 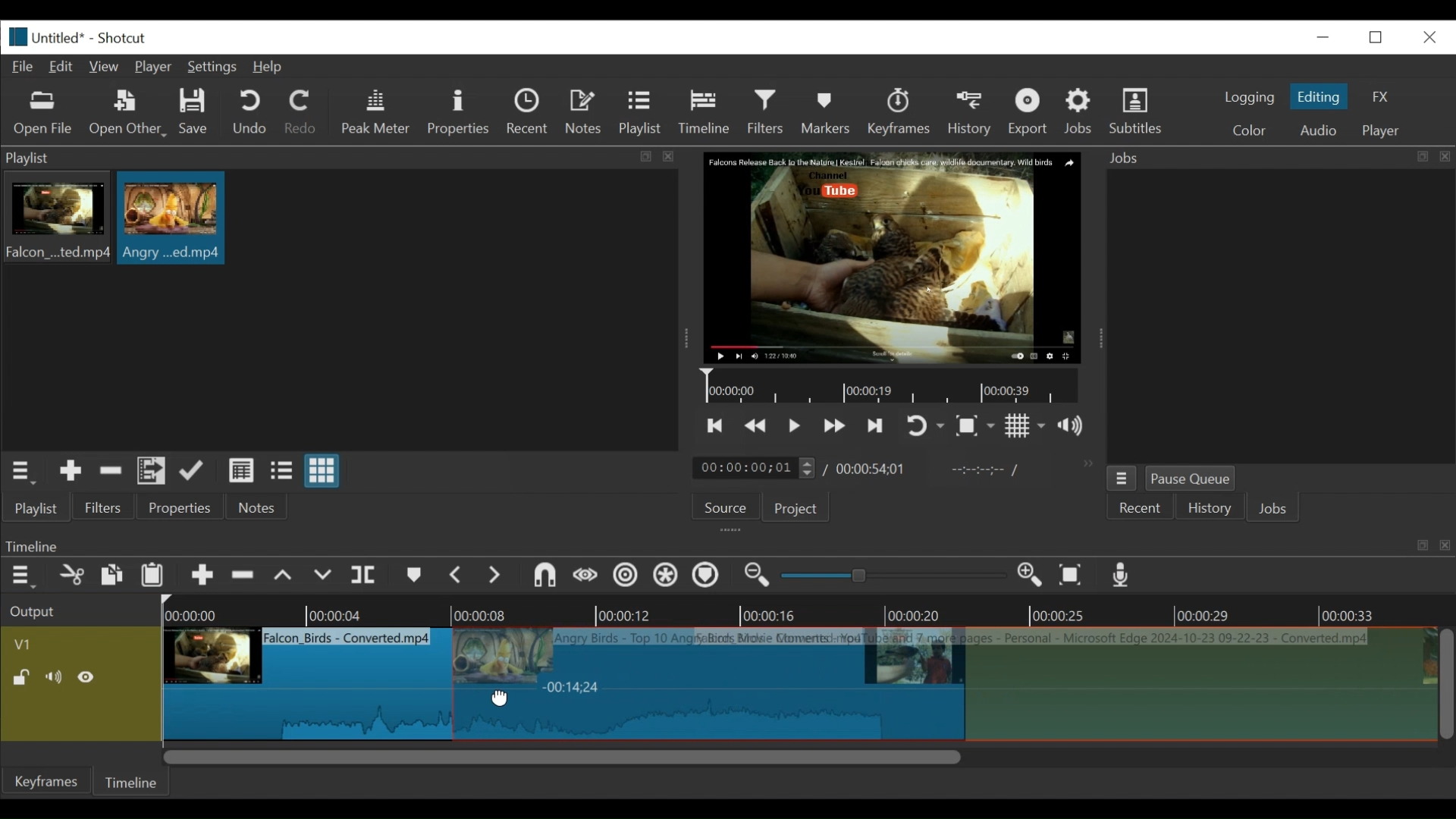 I want to click on Record audio, so click(x=1122, y=579).